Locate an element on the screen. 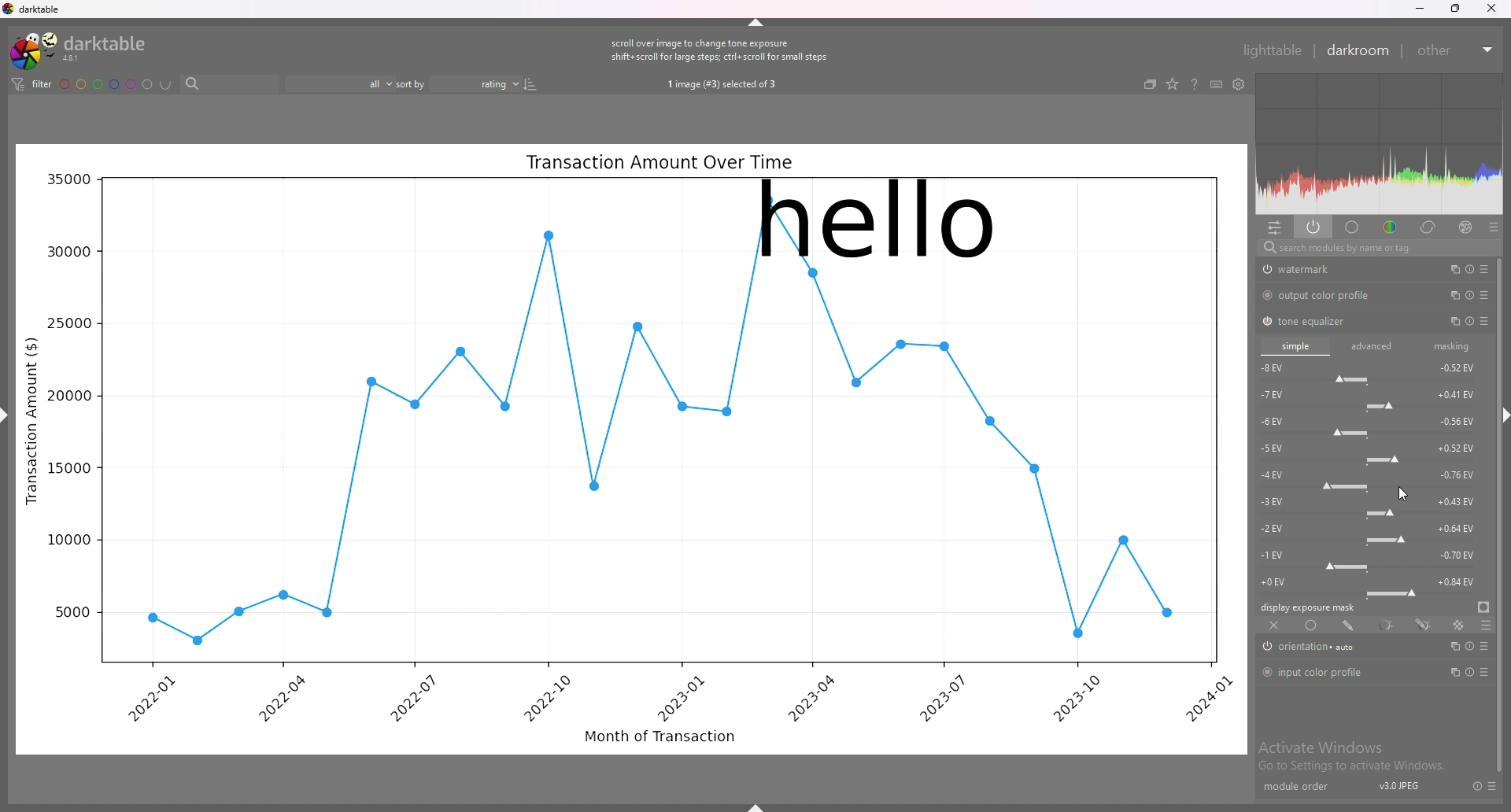 Image resolution: width=1511 pixels, height=812 pixels. show sidebar is located at coordinates (758, 806).